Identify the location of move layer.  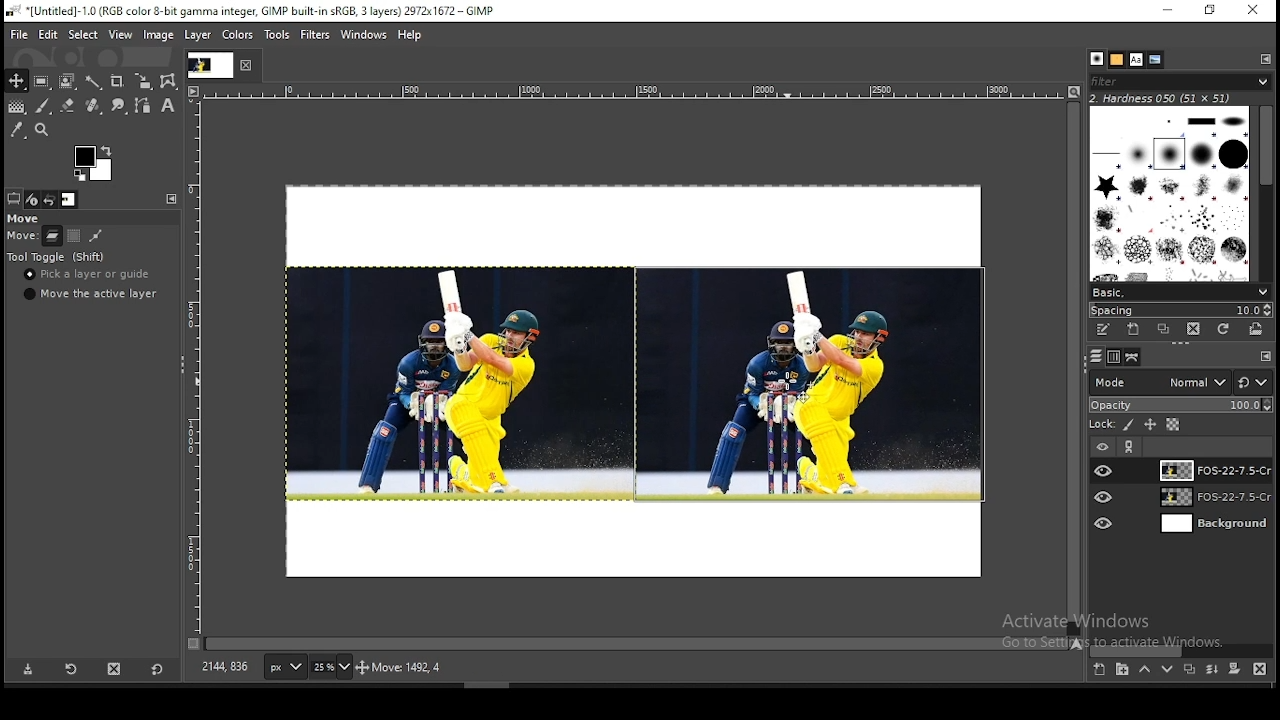
(52, 236).